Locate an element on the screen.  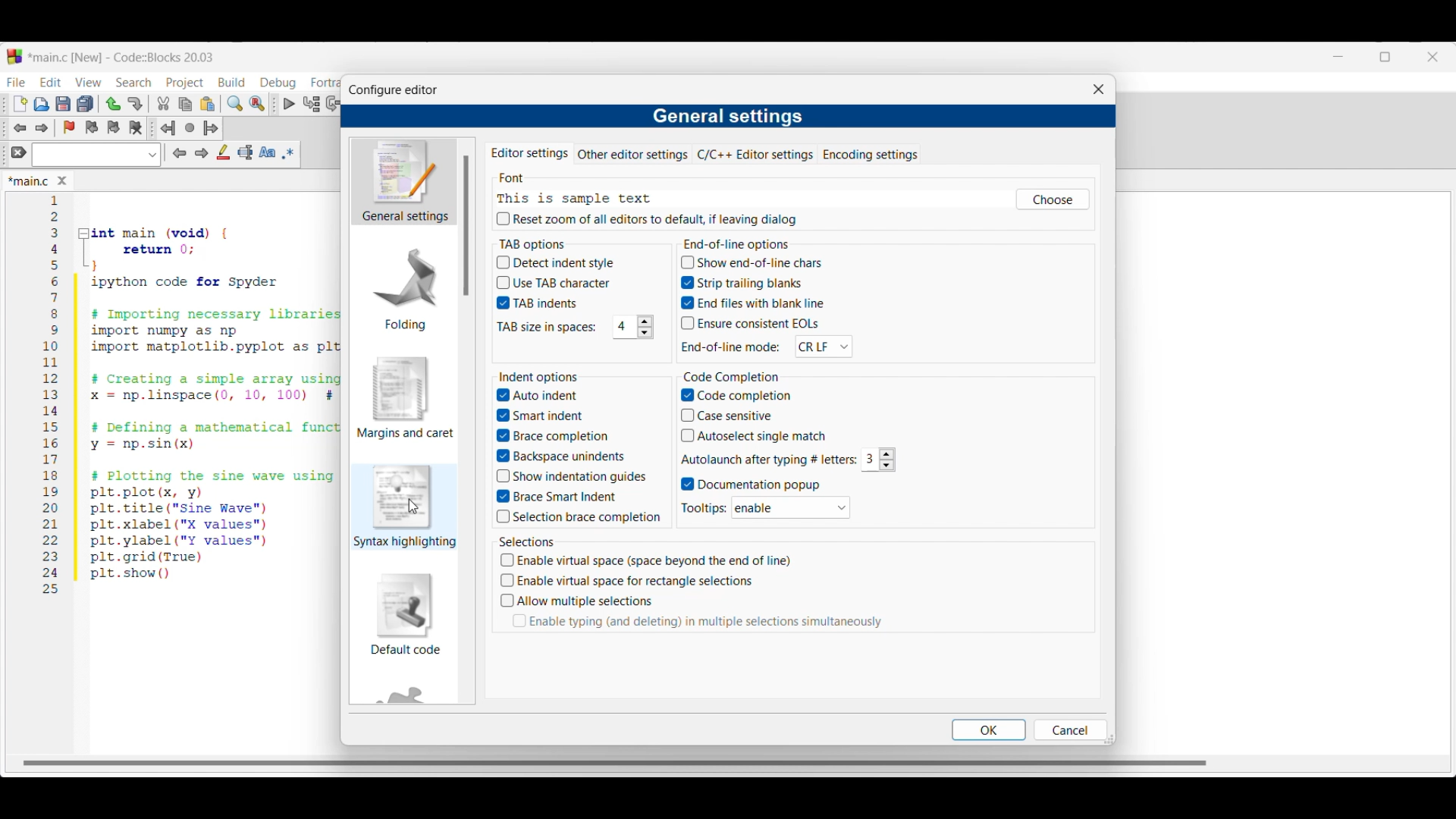
change dimentions is located at coordinates (1117, 738).